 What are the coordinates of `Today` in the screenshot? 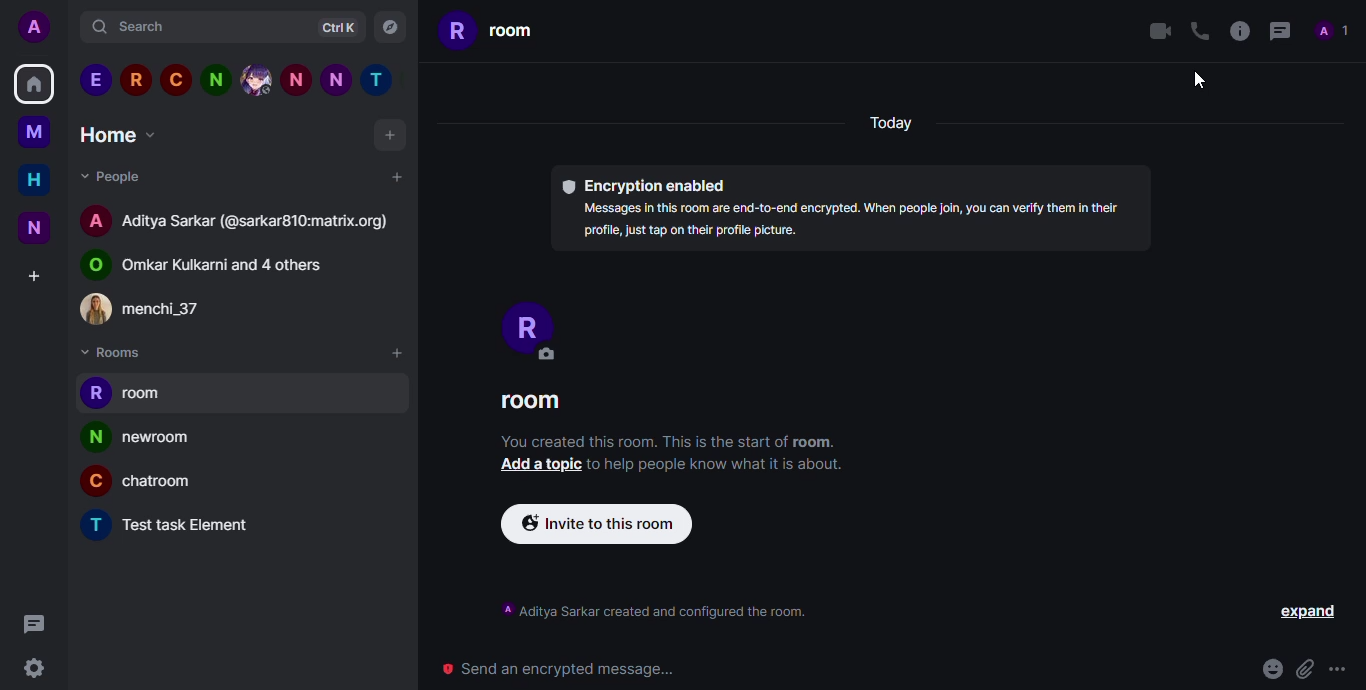 It's located at (892, 125).